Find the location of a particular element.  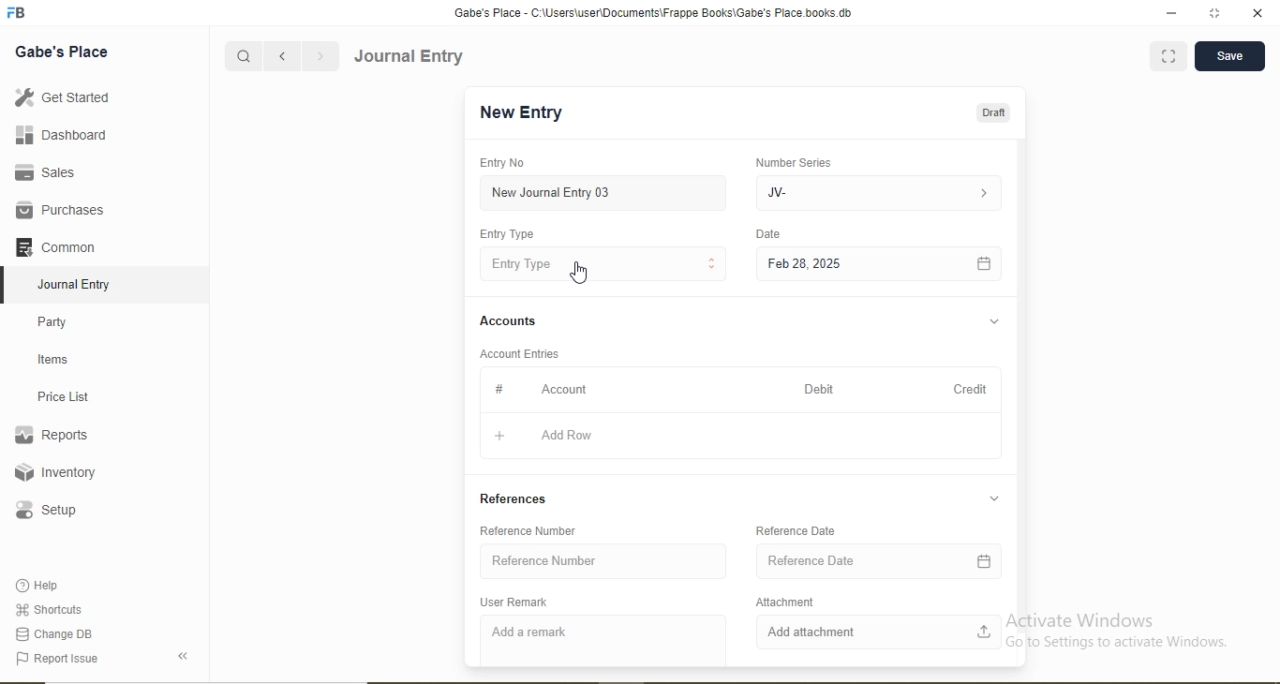

Reference Number is located at coordinates (527, 532).